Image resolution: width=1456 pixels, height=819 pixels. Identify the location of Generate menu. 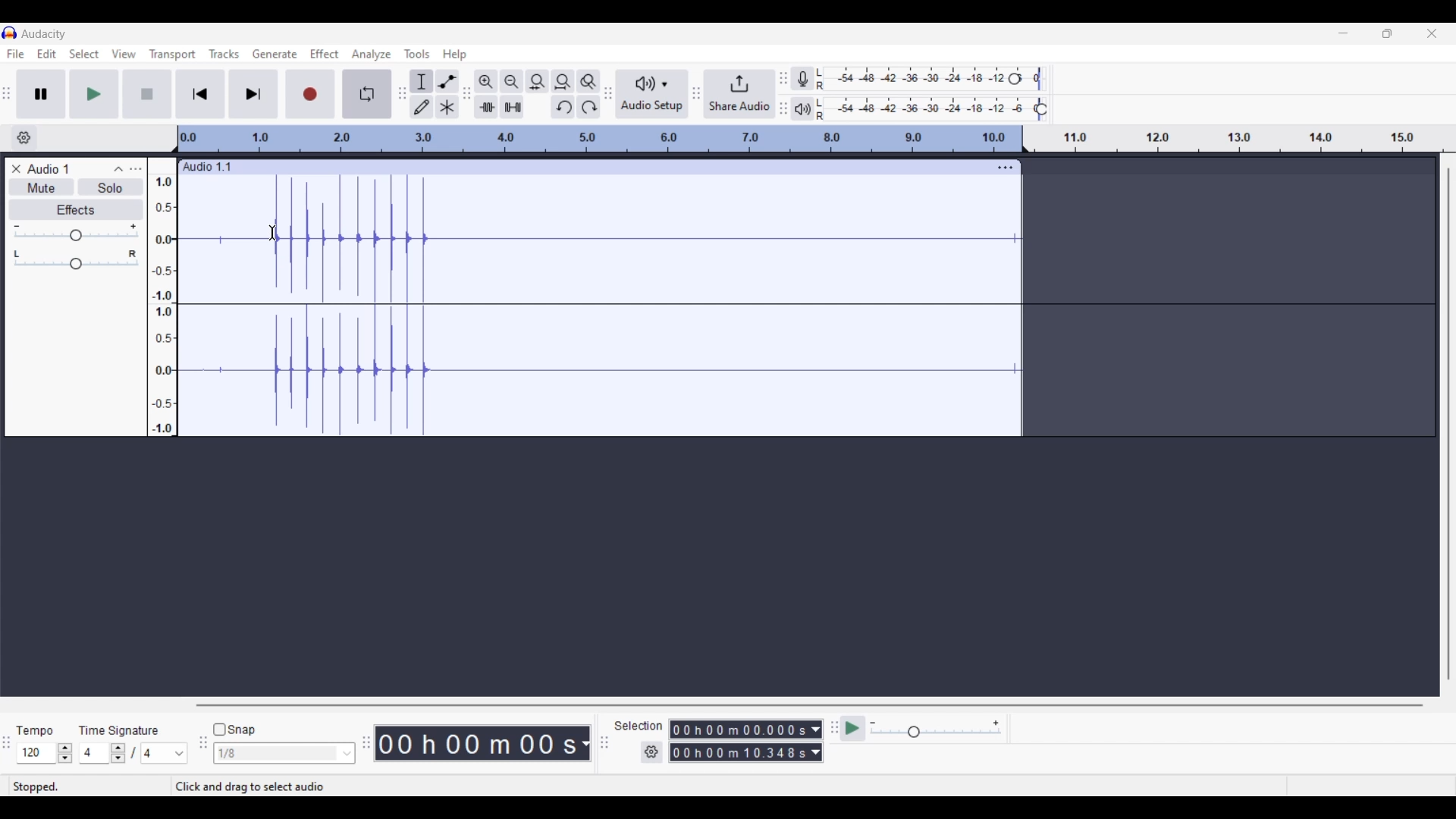
(275, 55).